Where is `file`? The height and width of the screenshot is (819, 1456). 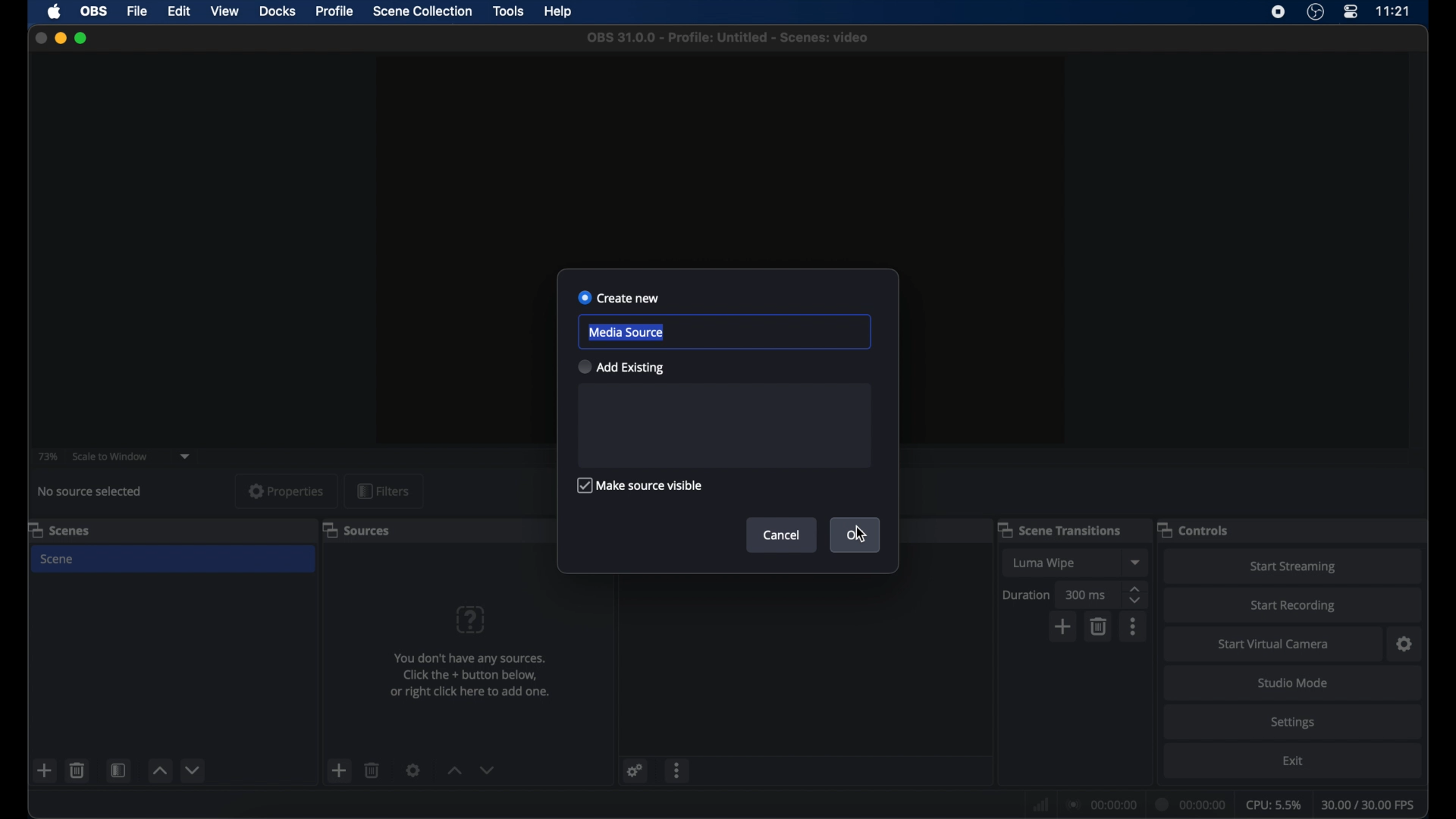
file is located at coordinates (136, 12).